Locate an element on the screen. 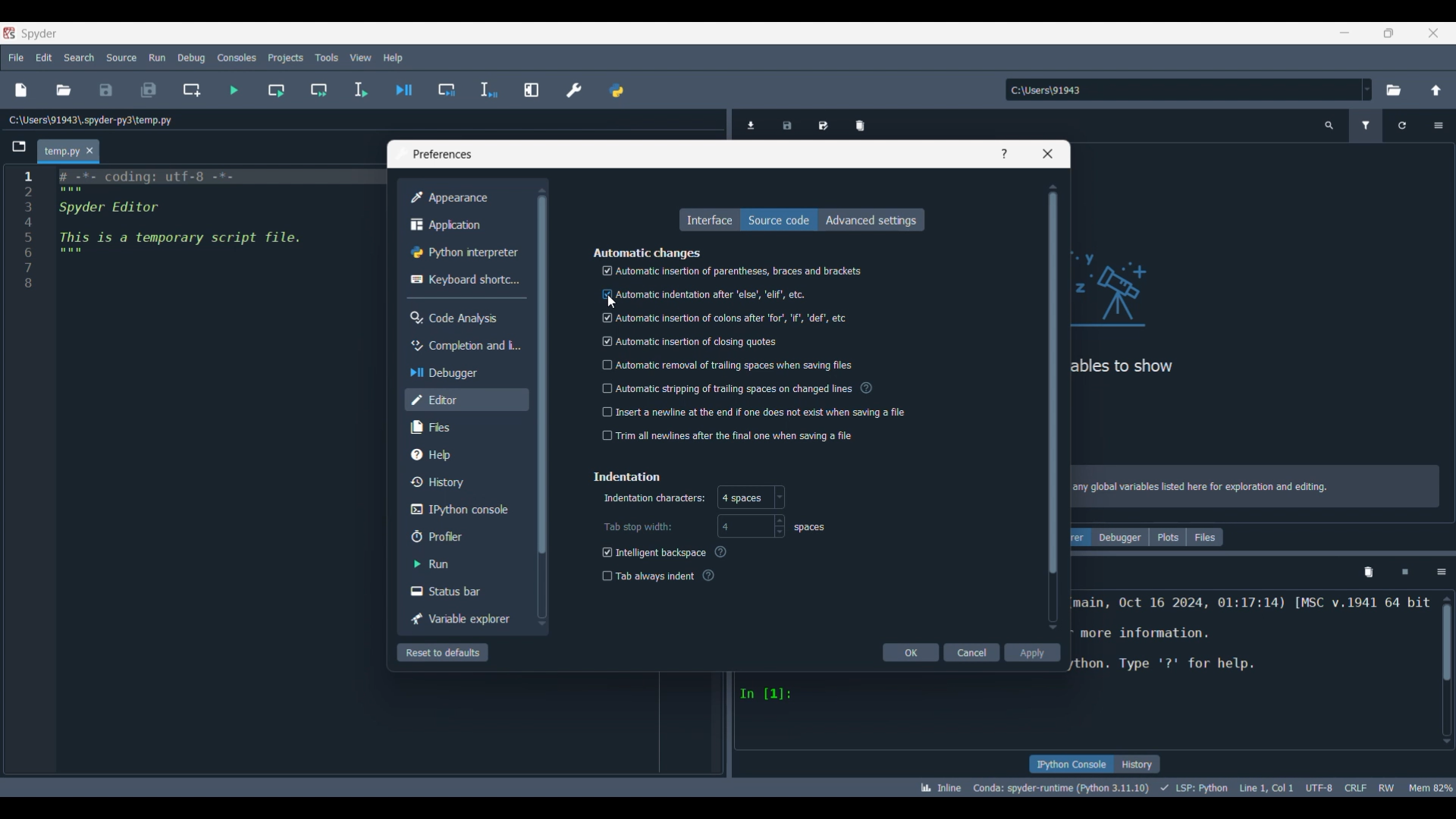 This screenshot has width=1456, height=819. ] Insert a newline at the end if one does not exist when saving a file is located at coordinates (754, 411).